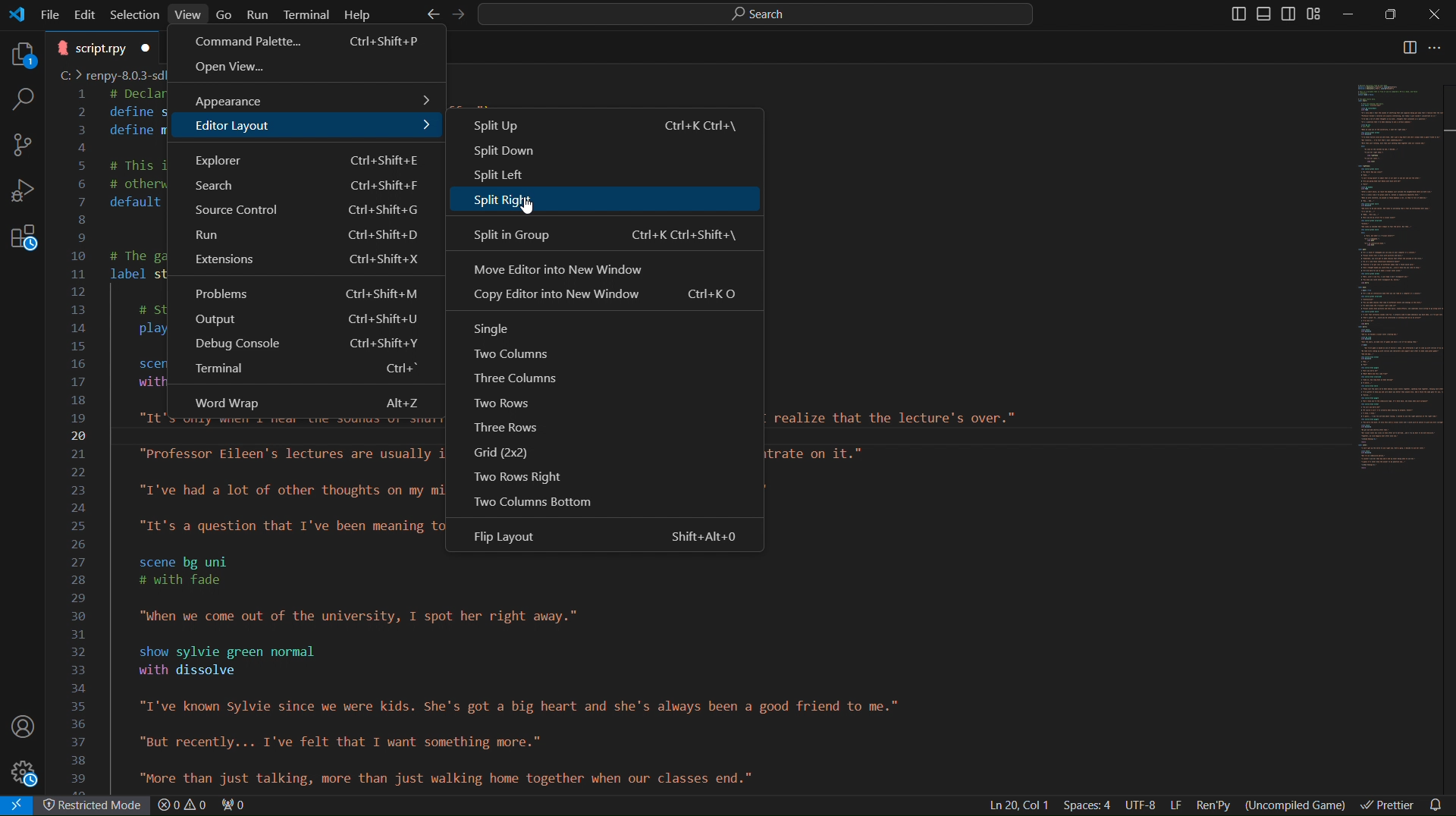 The image size is (1456, 816). Describe the element at coordinates (24, 195) in the screenshot. I see `Run and Debug` at that location.